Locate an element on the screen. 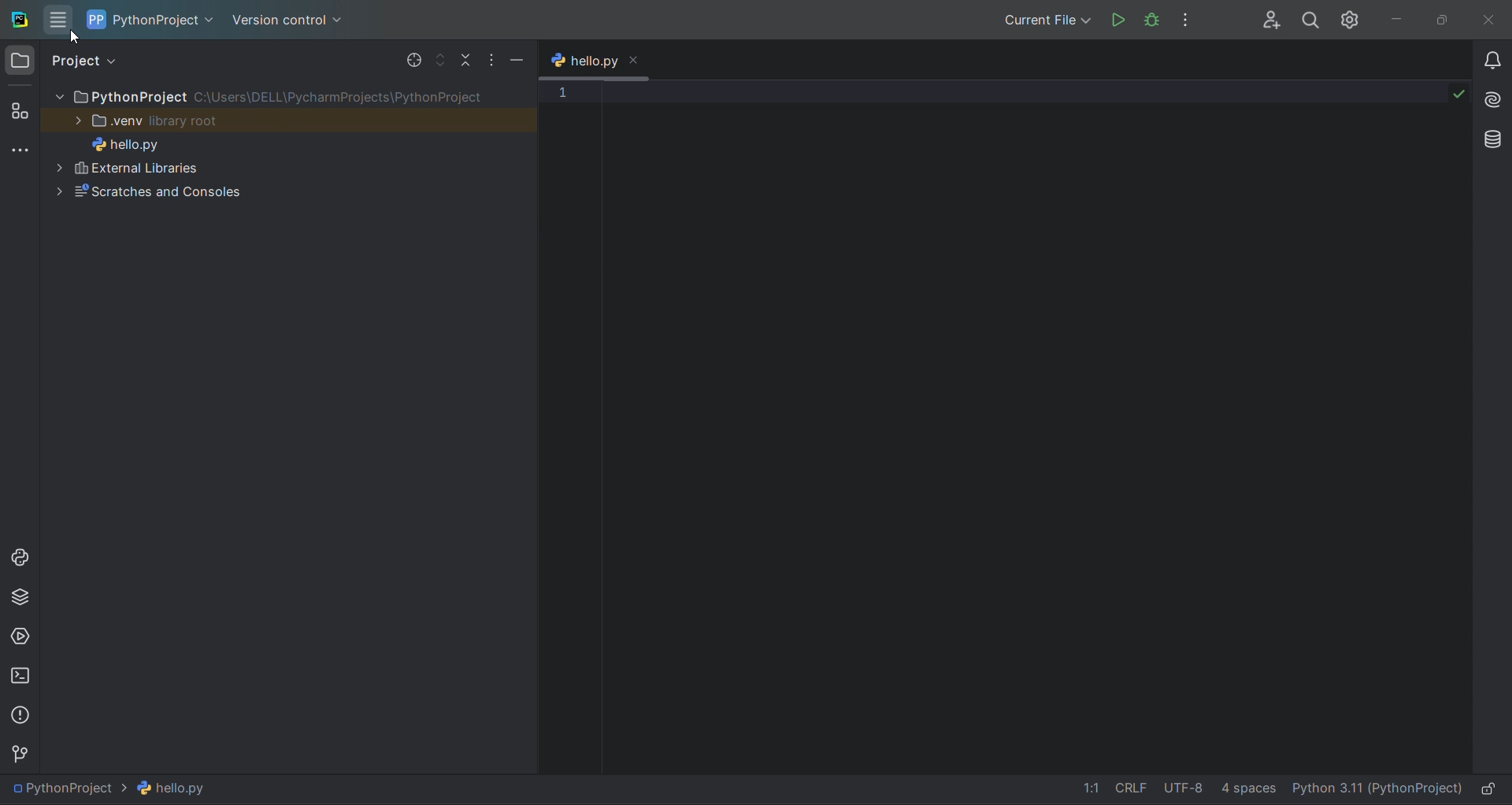 Image resolution: width=1512 pixels, height=805 pixels. interpreter is located at coordinates (1375, 791).